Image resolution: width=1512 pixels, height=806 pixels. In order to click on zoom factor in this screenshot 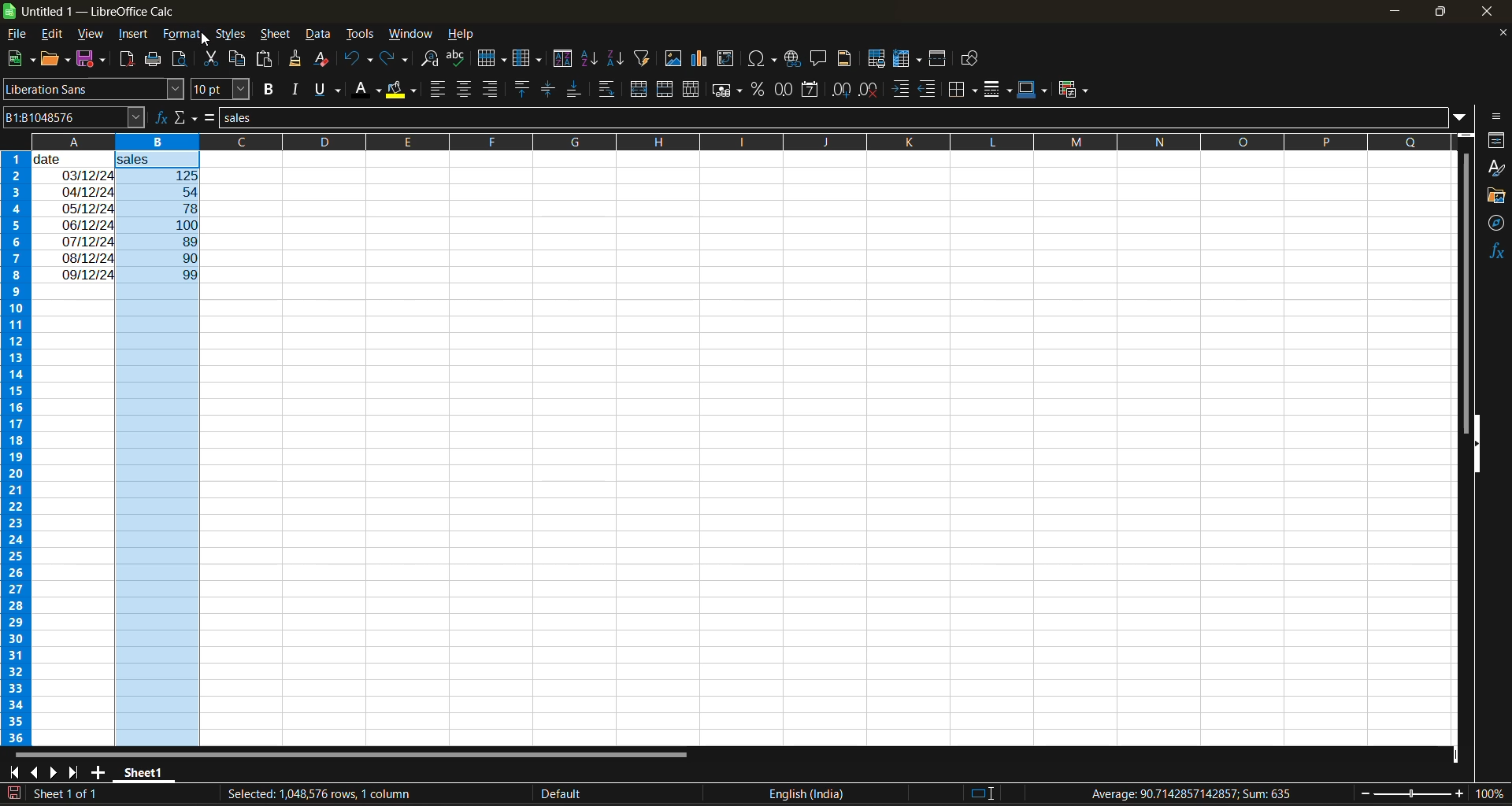, I will do `click(1487, 795)`.